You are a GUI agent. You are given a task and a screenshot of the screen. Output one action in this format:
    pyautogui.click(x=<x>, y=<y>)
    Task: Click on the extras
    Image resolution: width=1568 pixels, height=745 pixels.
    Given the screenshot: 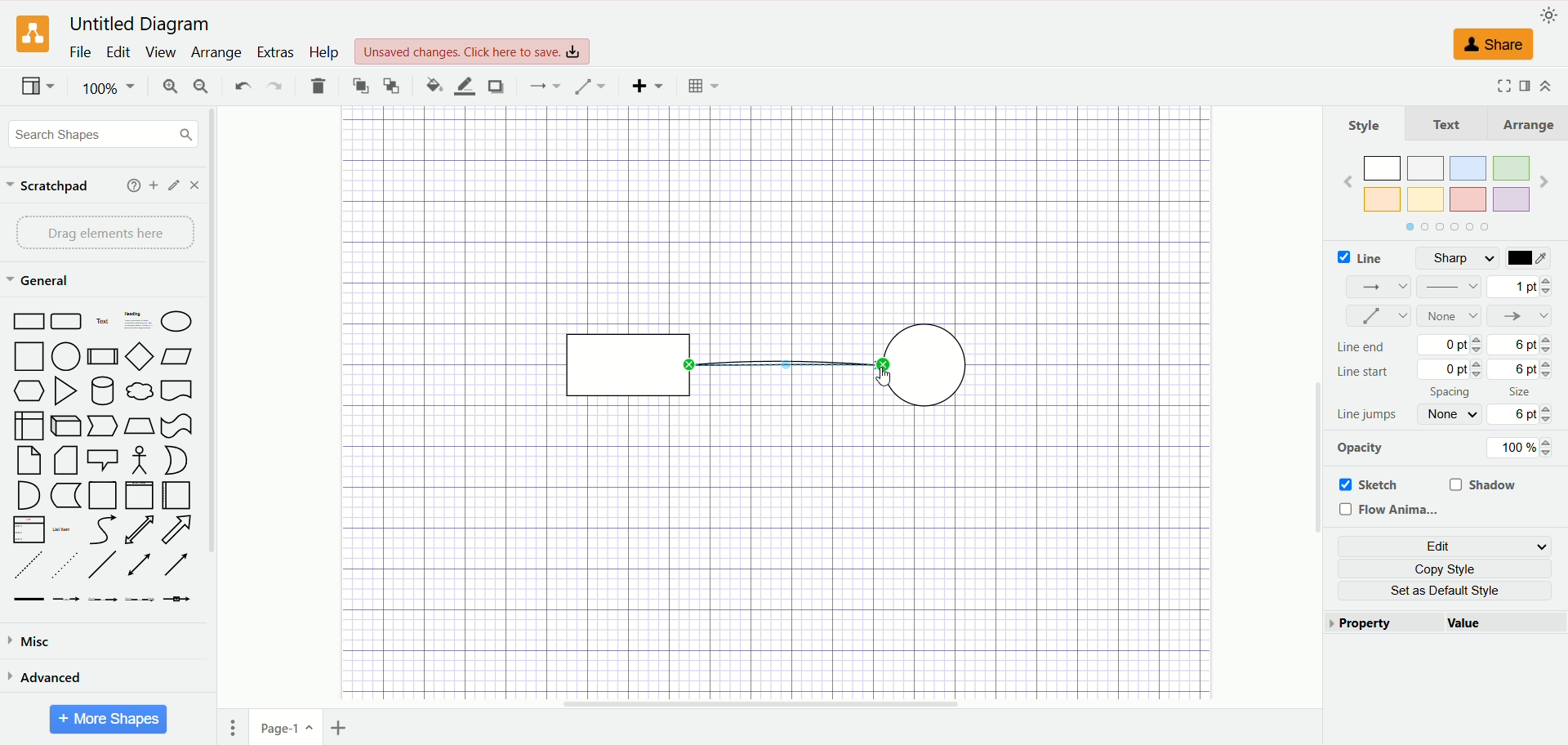 What is the action you would take?
    pyautogui.click(x=276, y=51)
    